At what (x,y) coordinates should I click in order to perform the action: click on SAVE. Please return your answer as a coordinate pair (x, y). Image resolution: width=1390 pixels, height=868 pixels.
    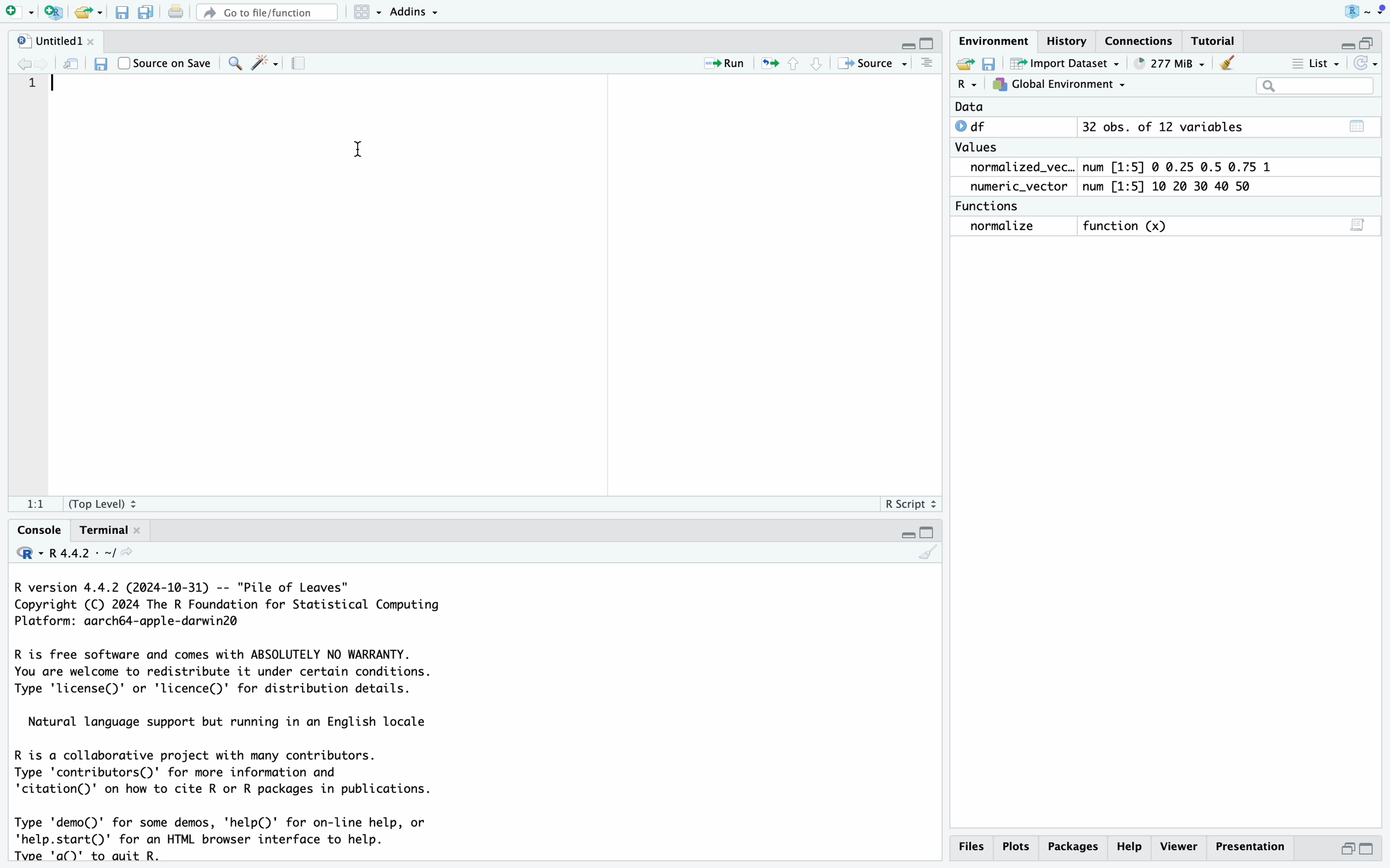
    Looking at the image, I should click on (989, 64).